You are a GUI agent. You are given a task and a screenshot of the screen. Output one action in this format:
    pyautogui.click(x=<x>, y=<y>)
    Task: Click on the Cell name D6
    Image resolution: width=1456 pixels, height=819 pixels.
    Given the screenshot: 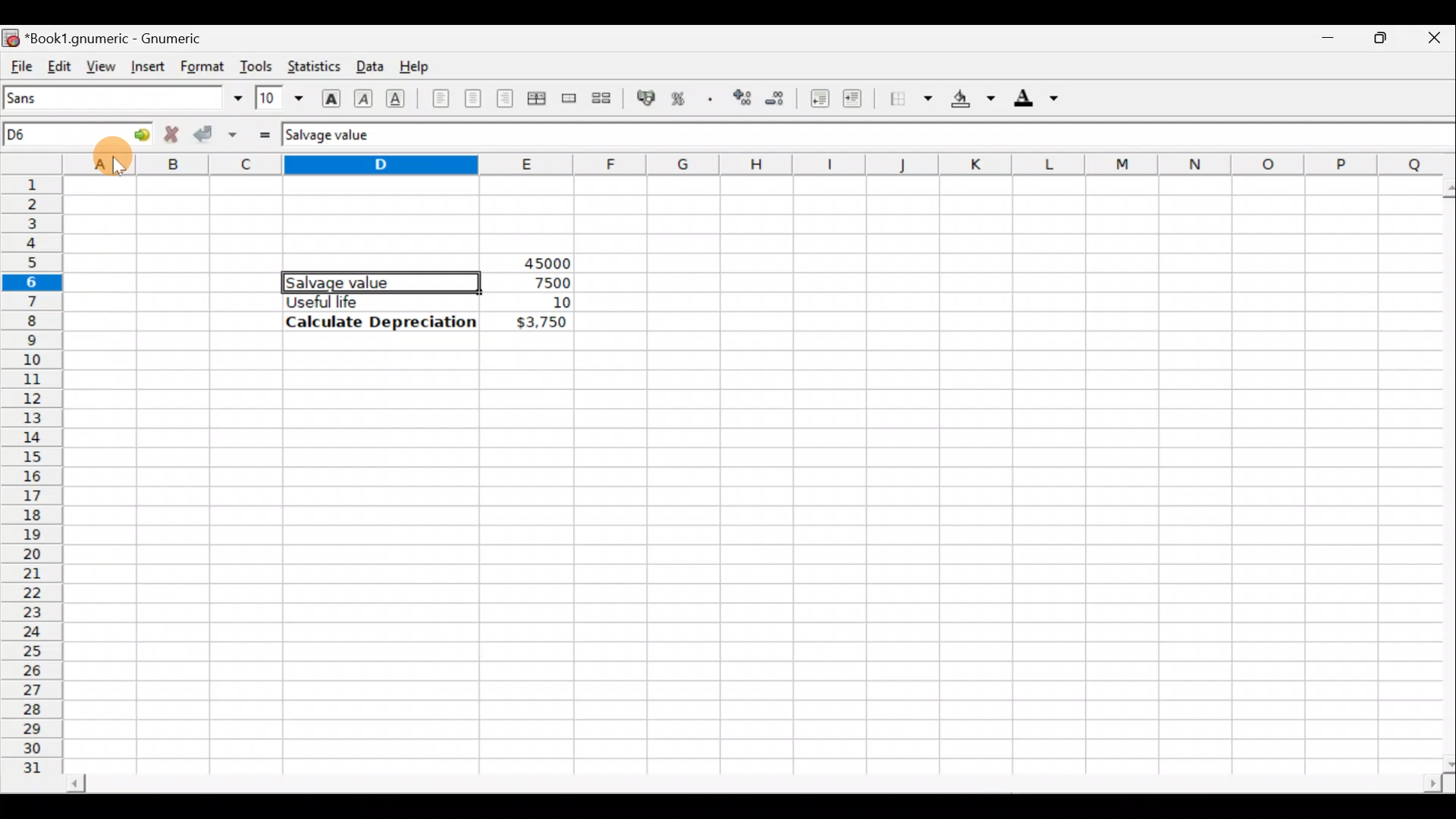 What is the action you would take?
    pyautogui.click(x=54, y=135)
    